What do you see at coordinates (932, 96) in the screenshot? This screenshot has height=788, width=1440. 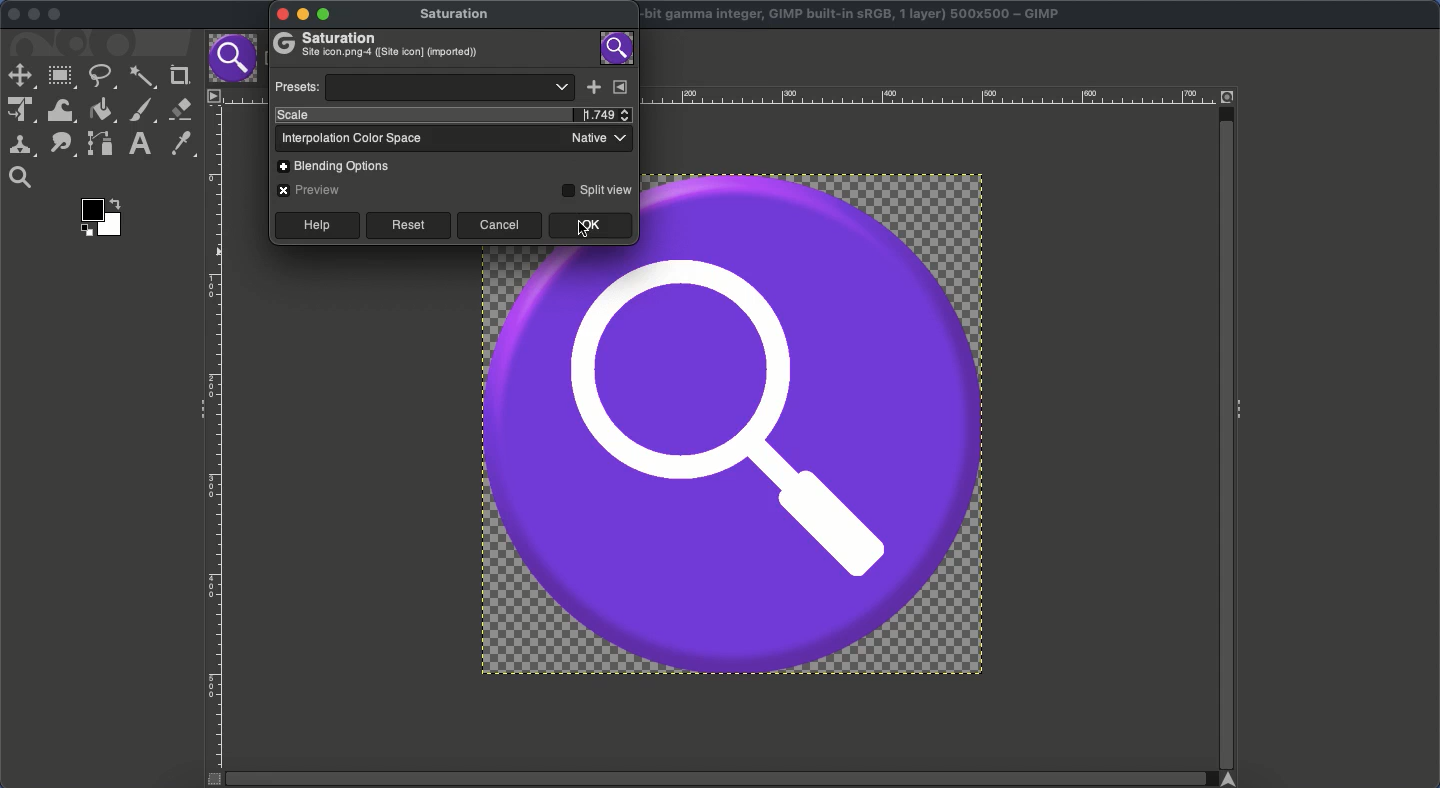 I see `Ruler` at bounding box center [932, 96].